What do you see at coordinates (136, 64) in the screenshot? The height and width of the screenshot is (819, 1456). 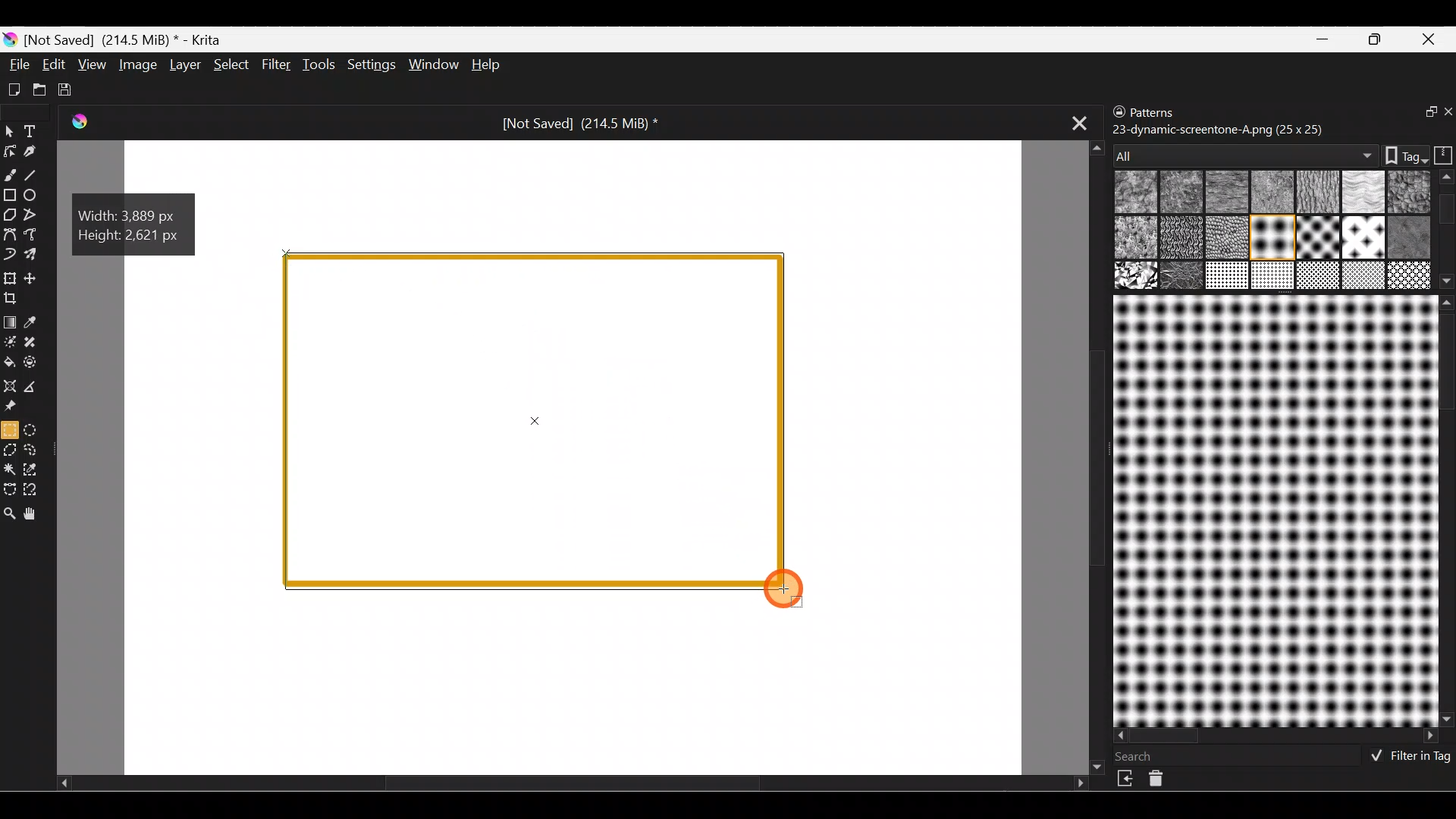 I see `Image` at bounding box center [136, 64].